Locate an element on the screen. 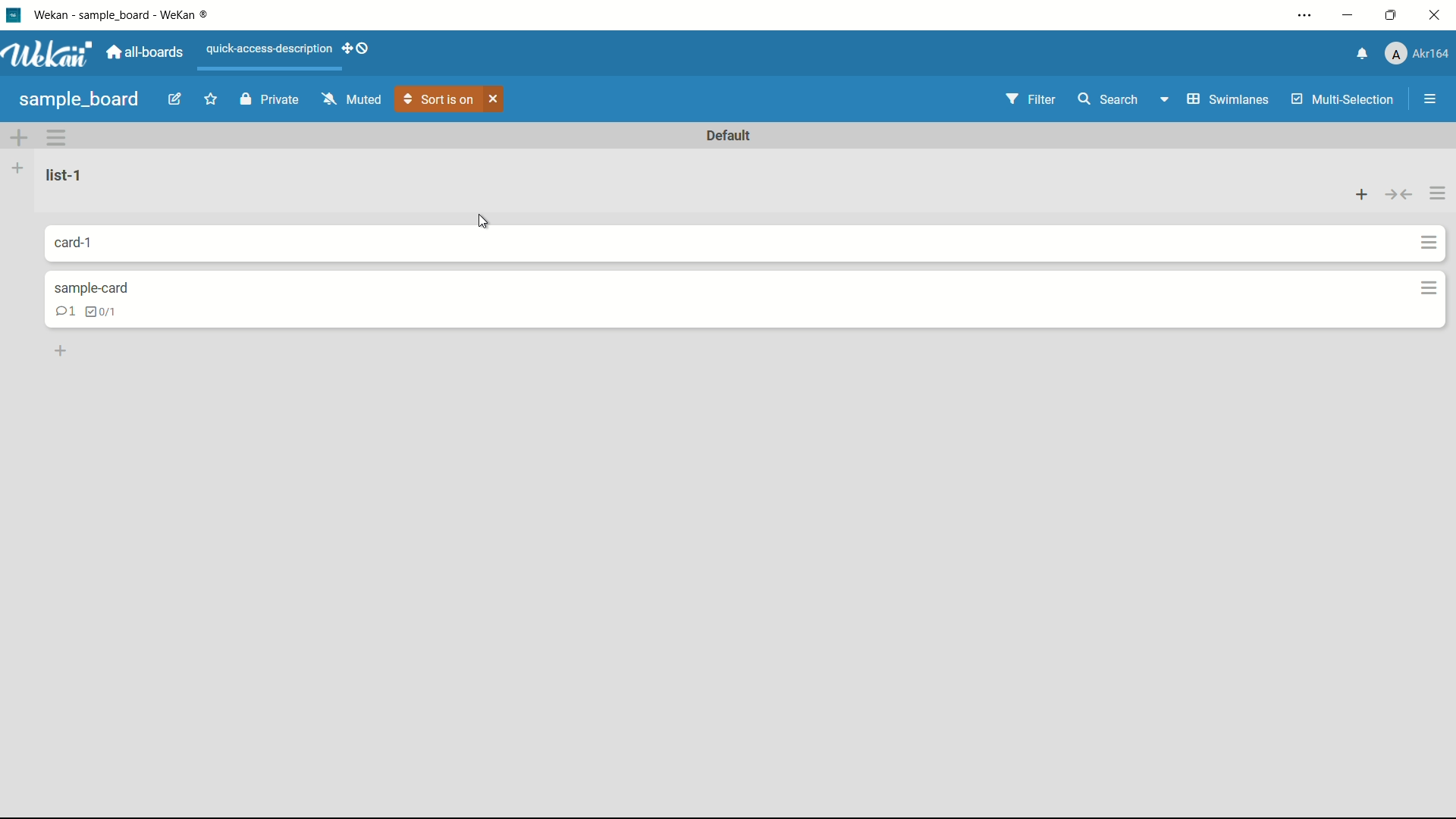 This screenshot has width=1456, height=819. card actions is located at coordinates (1429, 242).